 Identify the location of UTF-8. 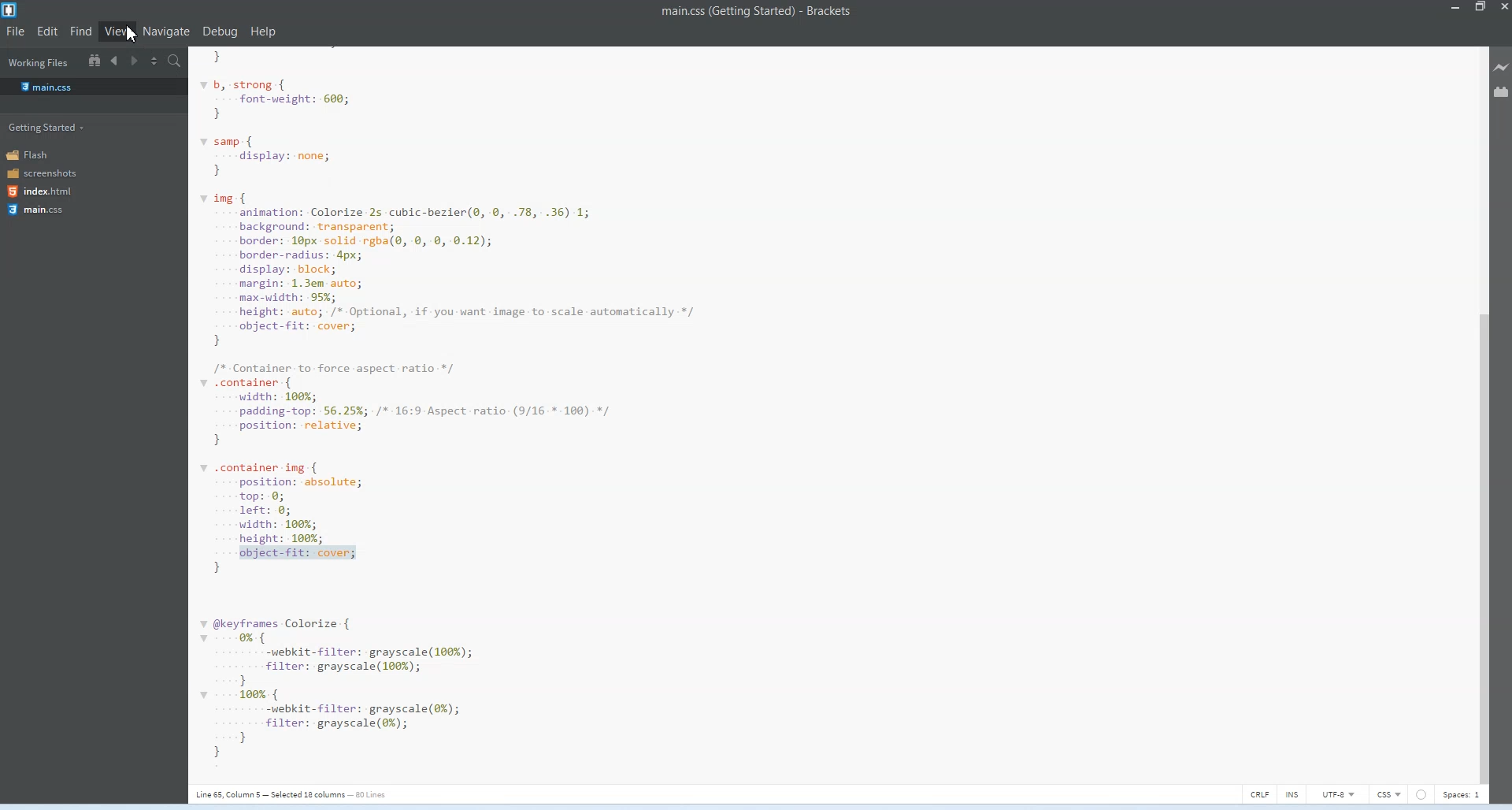
(1340, 792).